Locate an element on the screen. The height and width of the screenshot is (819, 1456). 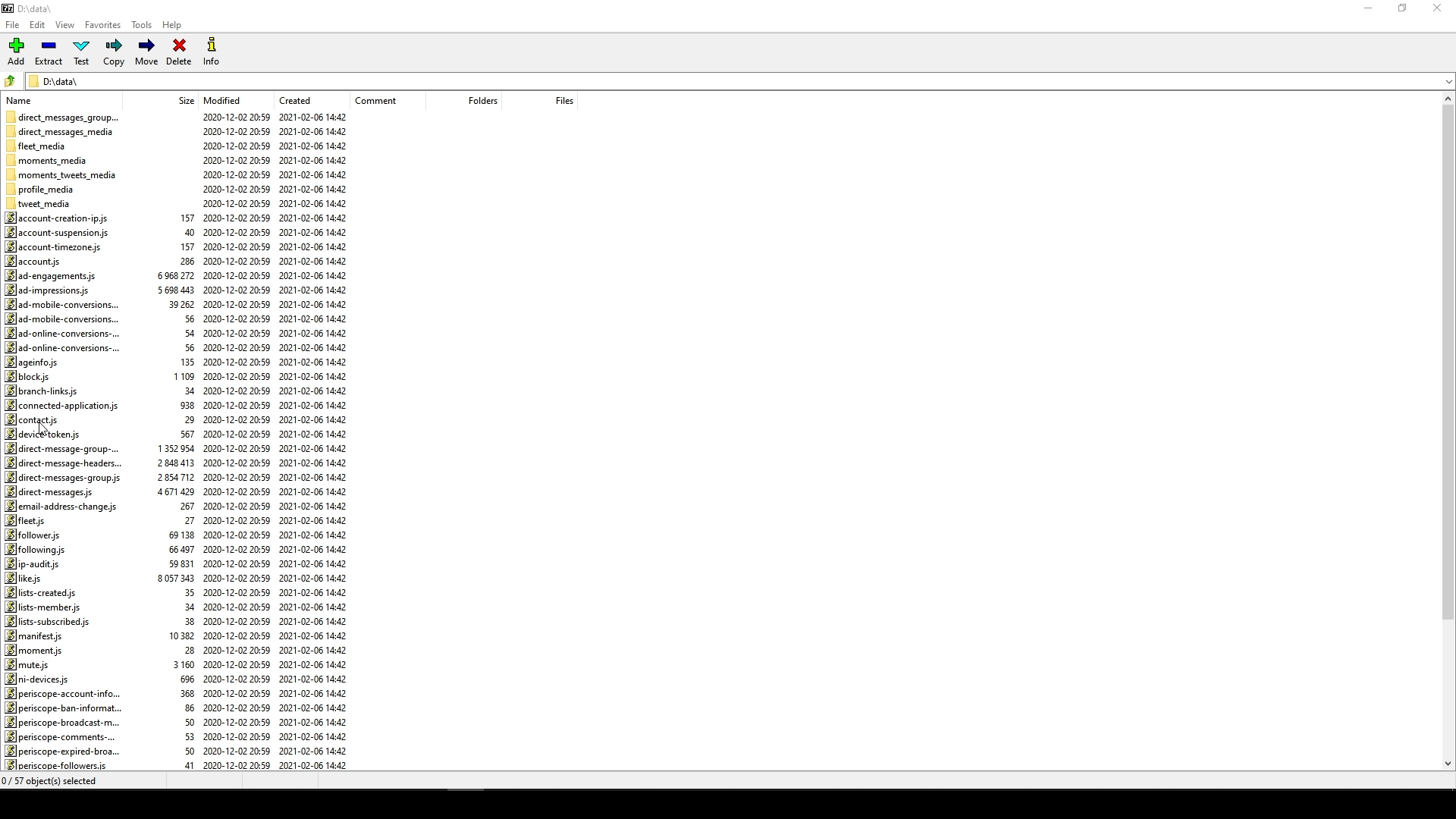
branch-links.js is located at coordinates (45, 391).